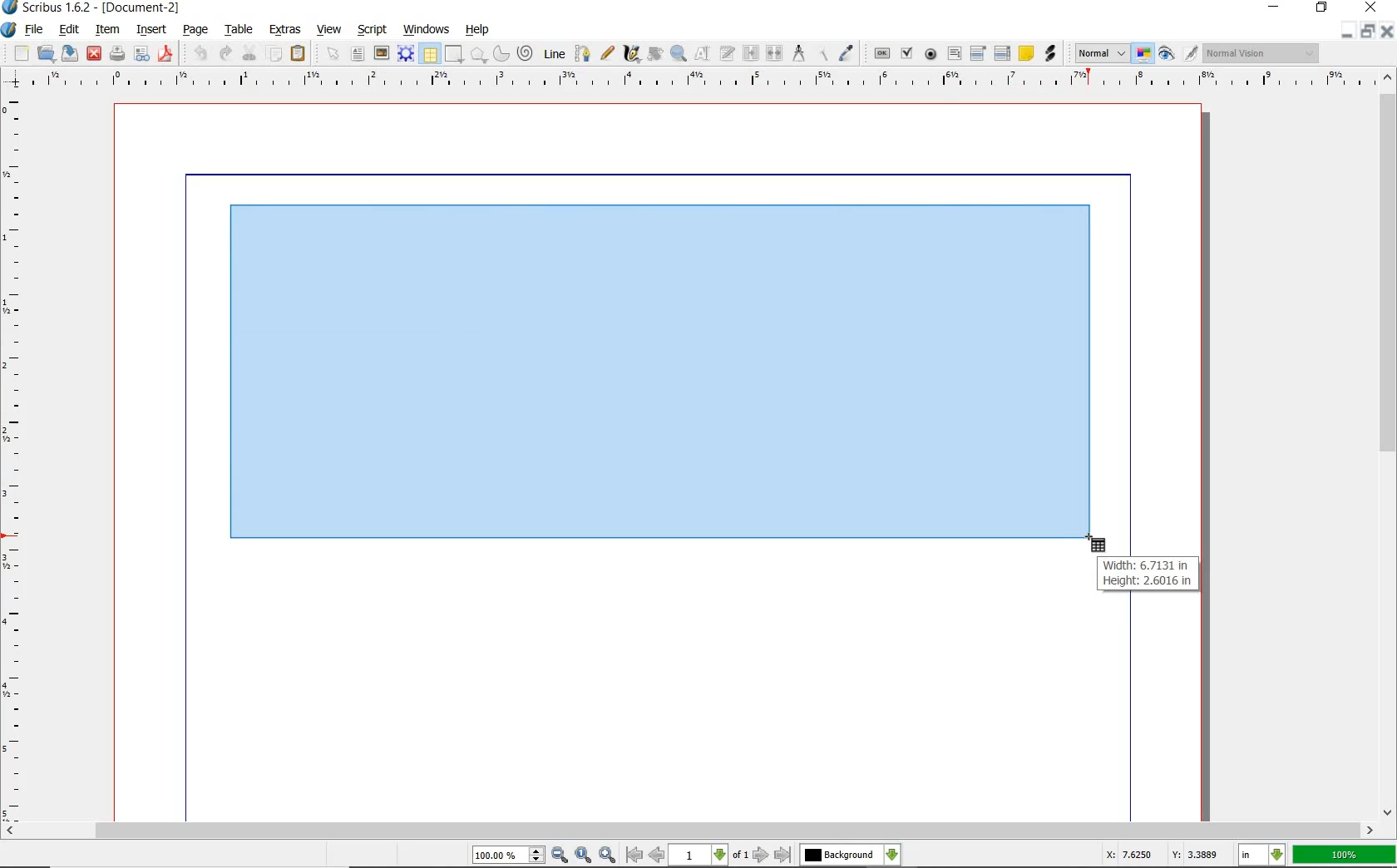 This screenshot has width=1397, height=868. I want to click on copy, so click(275, 55).